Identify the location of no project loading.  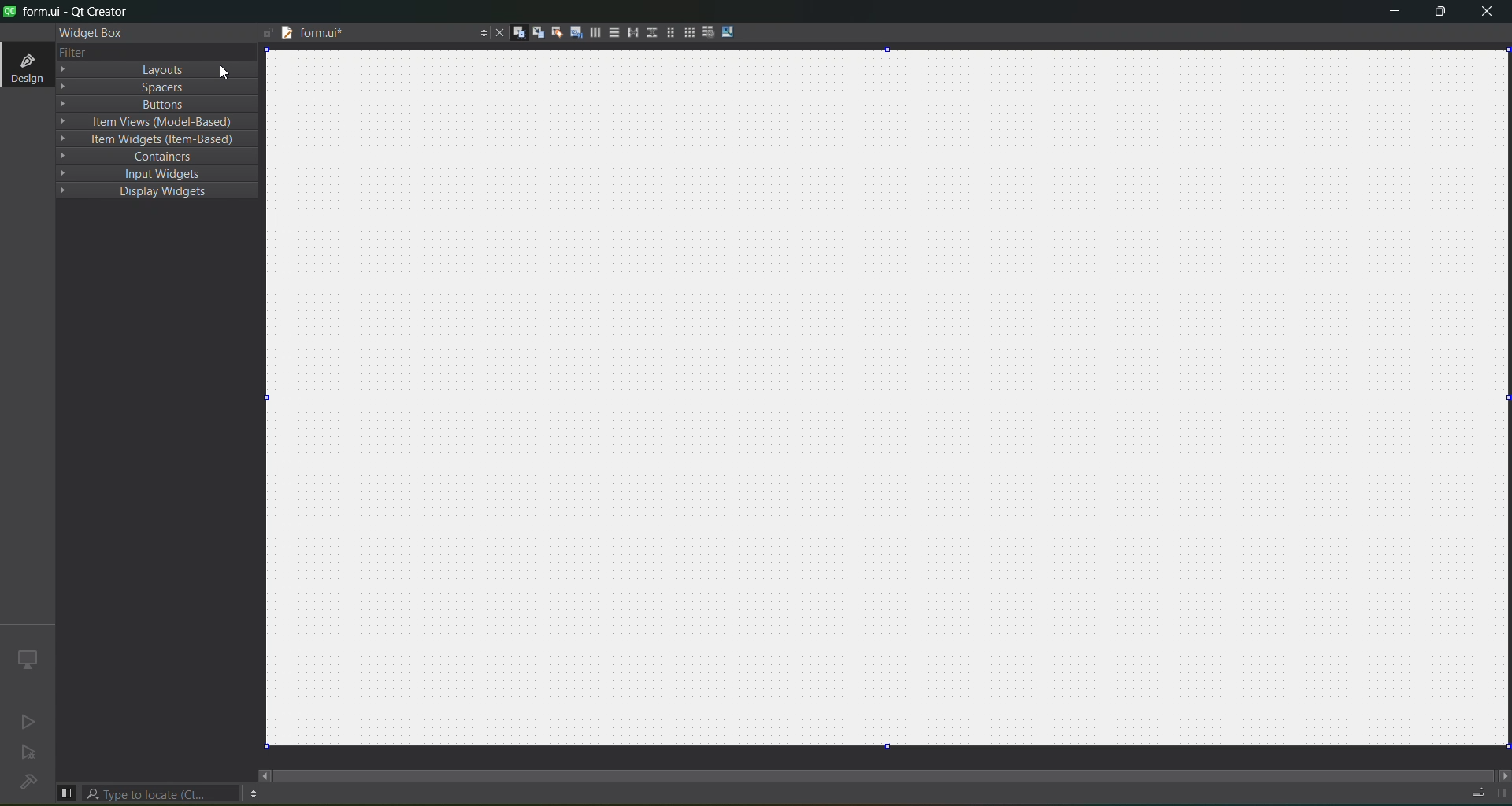
(25, 783).